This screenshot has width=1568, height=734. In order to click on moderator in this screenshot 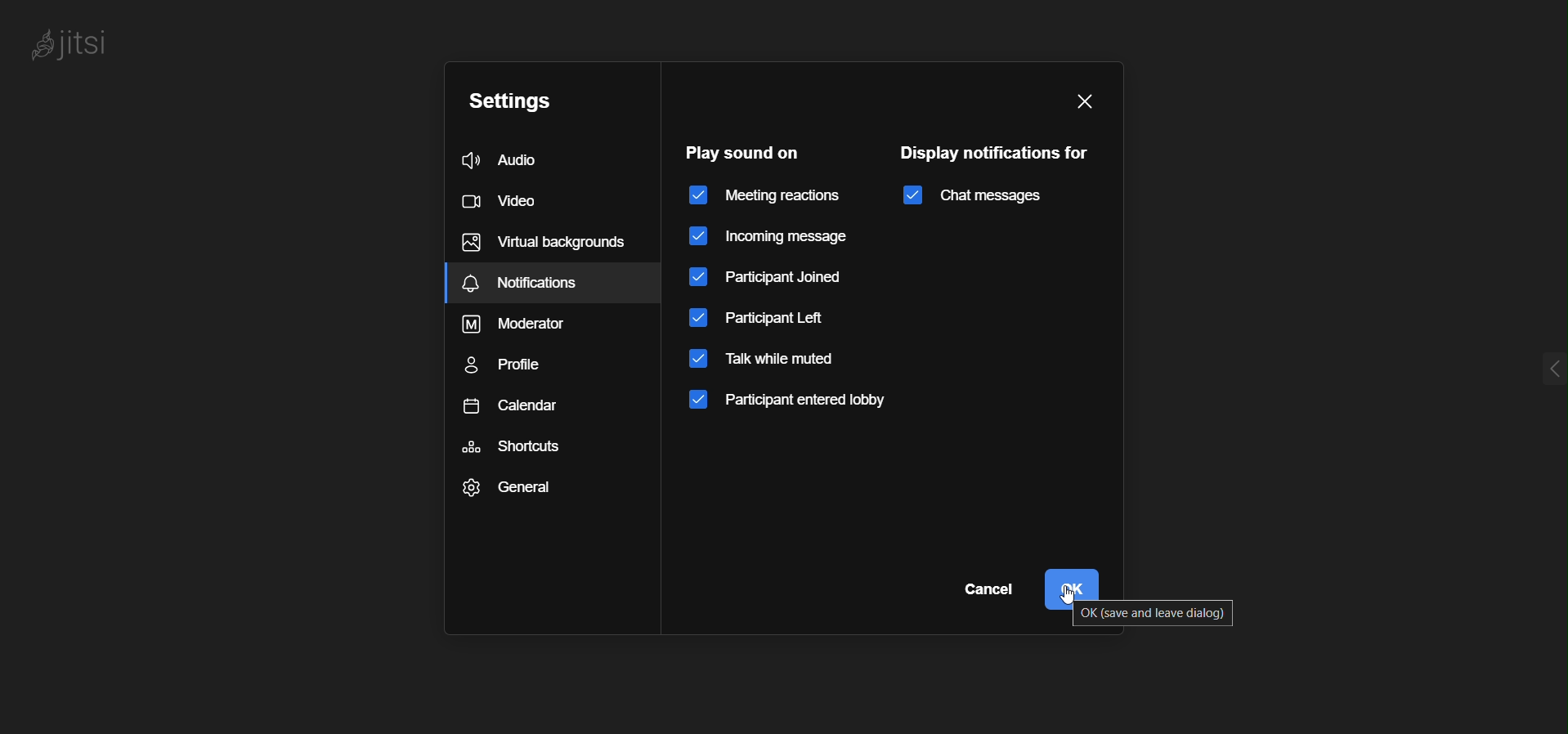, I will do `click(523, 327)`.